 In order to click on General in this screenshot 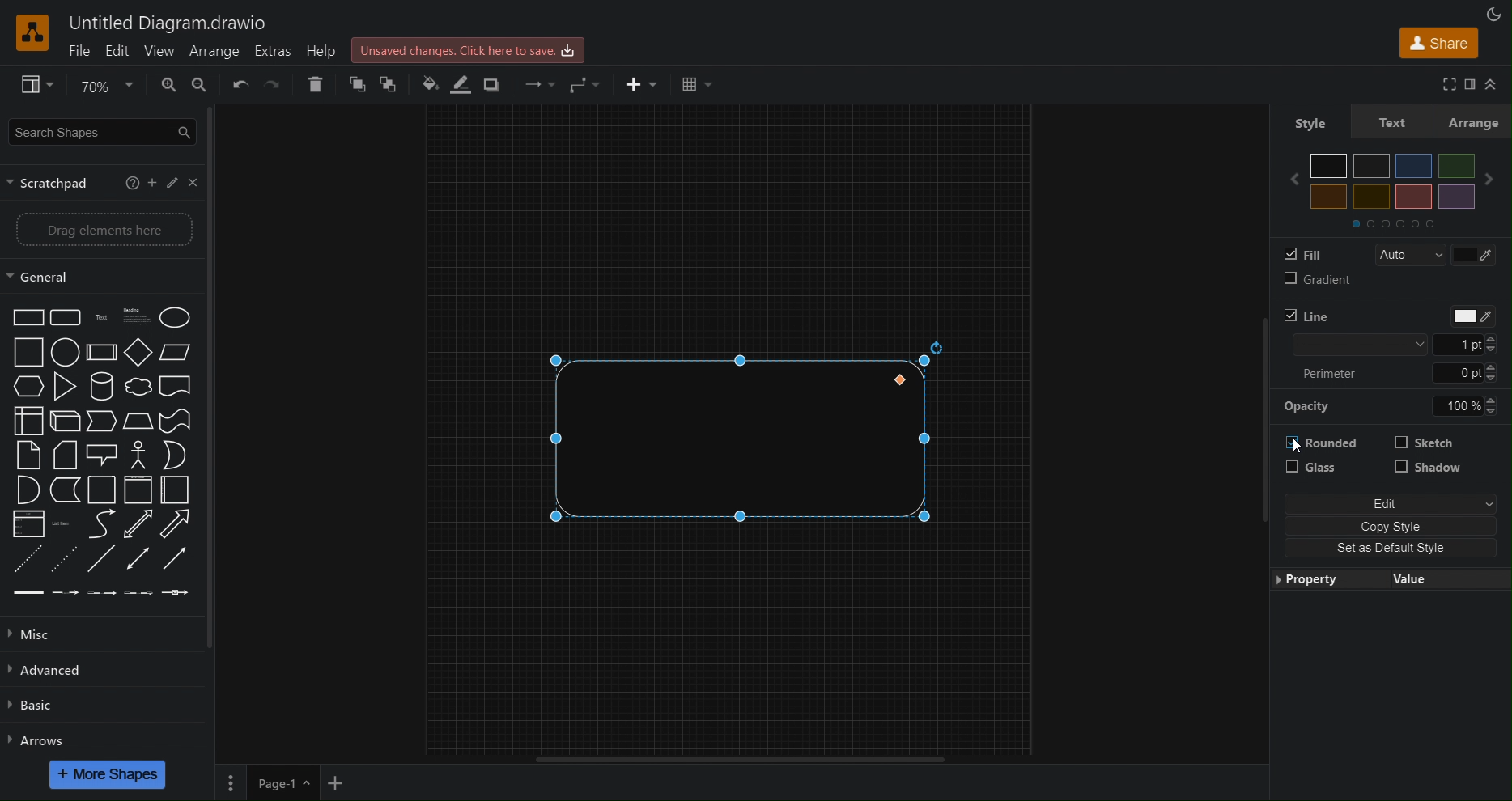, I will do `click(102, 276)`.